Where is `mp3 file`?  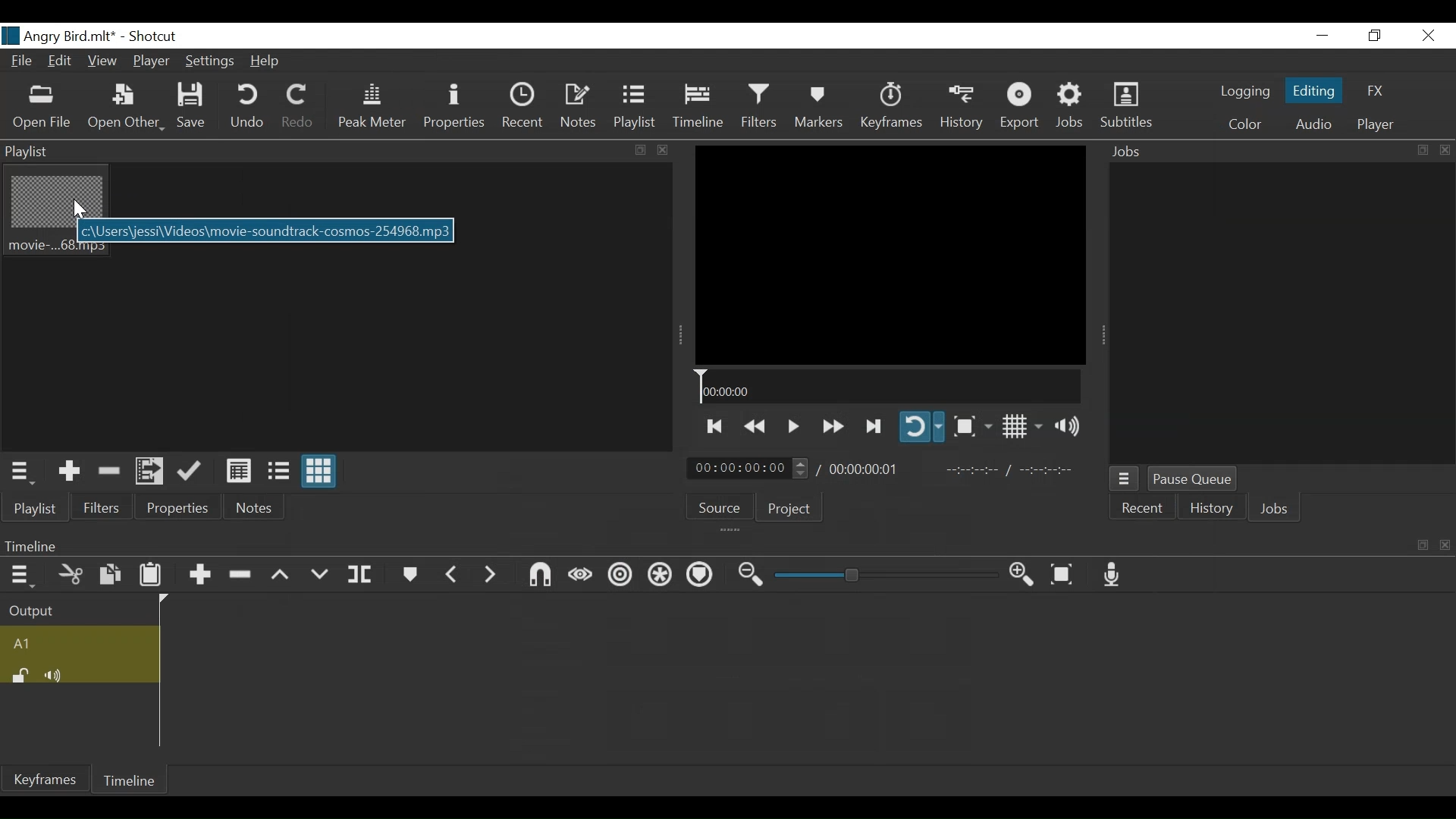 mp3 file is located at coordinates (54, 209).